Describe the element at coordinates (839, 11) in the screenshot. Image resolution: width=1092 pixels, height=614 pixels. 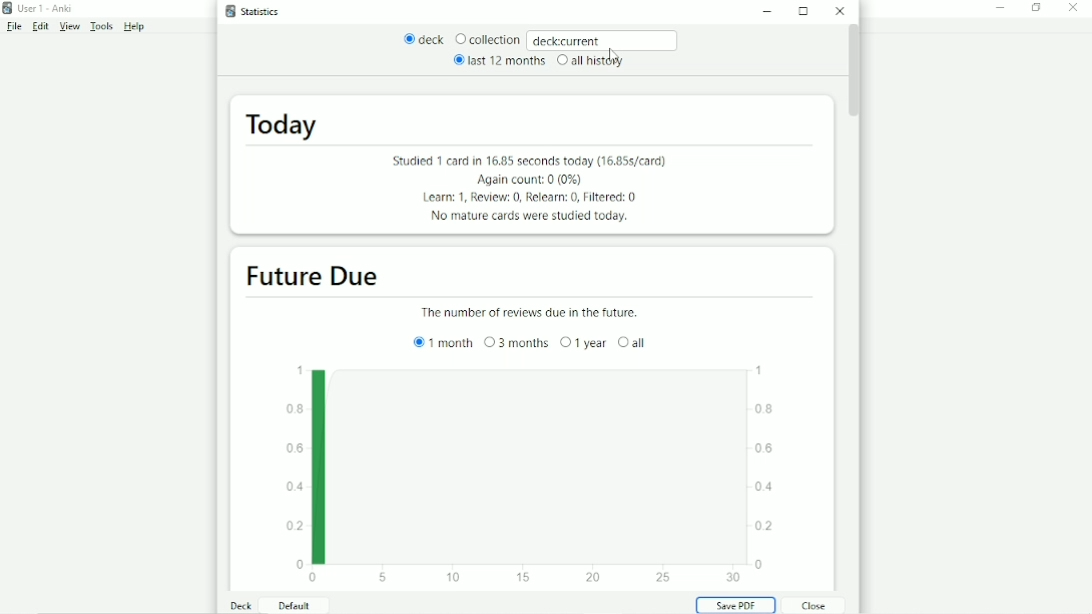
I see `Close` at that location.